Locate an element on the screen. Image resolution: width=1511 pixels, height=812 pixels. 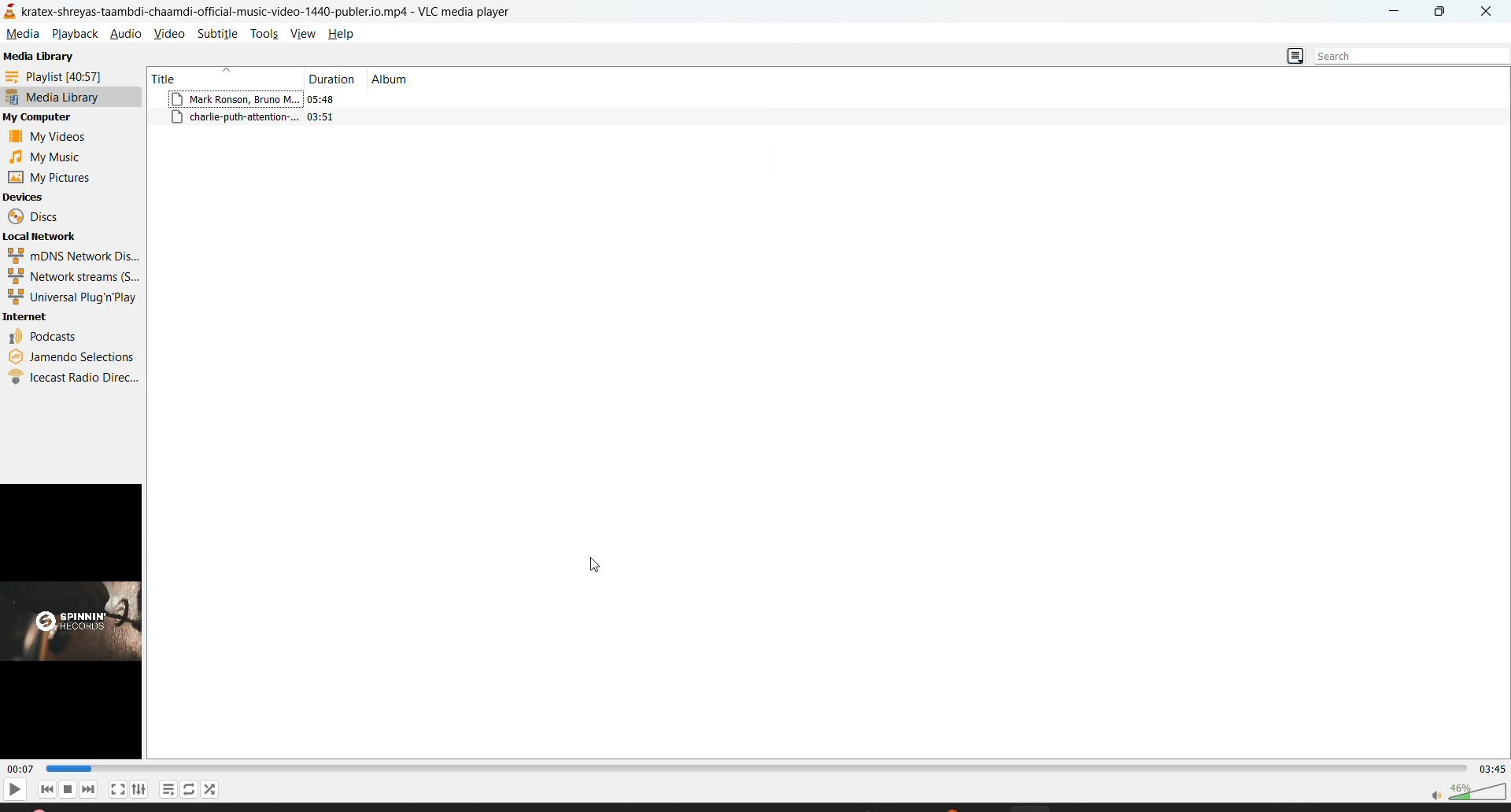
playback is located at coordinates (69, 35).